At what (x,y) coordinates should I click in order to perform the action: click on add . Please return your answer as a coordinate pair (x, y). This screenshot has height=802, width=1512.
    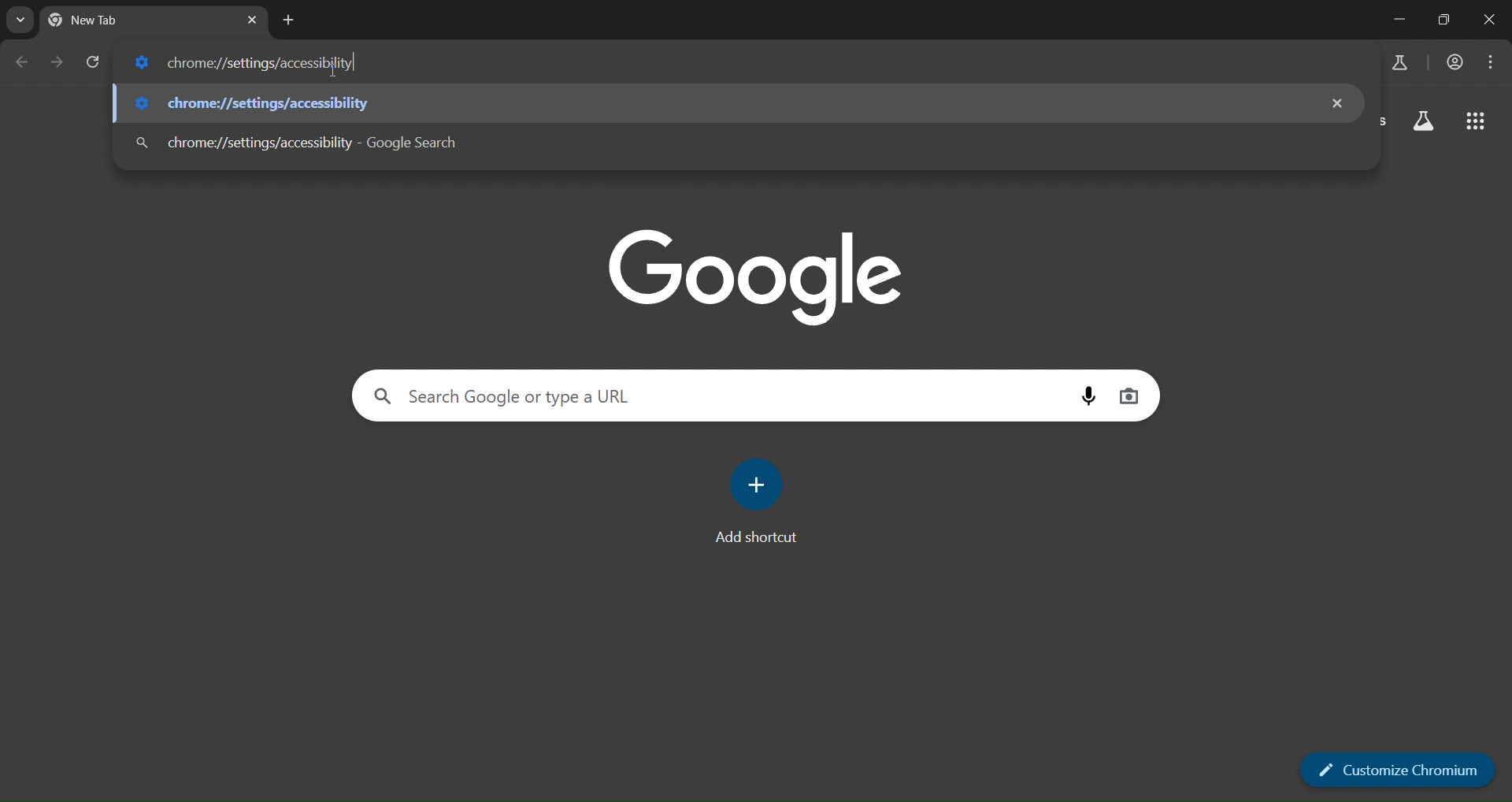
    Looking at the image, I should click on (760, 484).